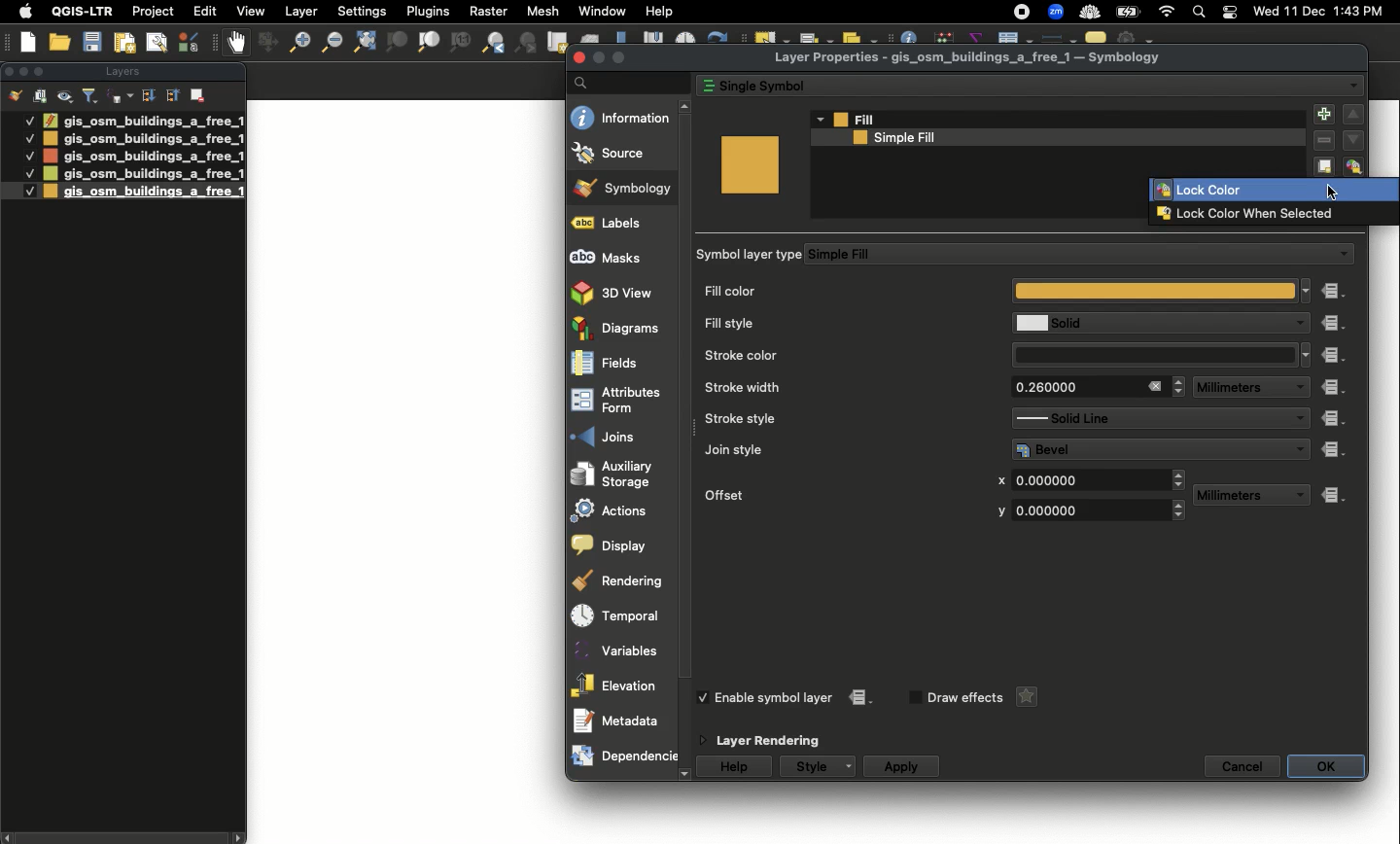 The height and width of the screenshot is (844, 1400). I want to click on Dependencies , so click(623, 756).